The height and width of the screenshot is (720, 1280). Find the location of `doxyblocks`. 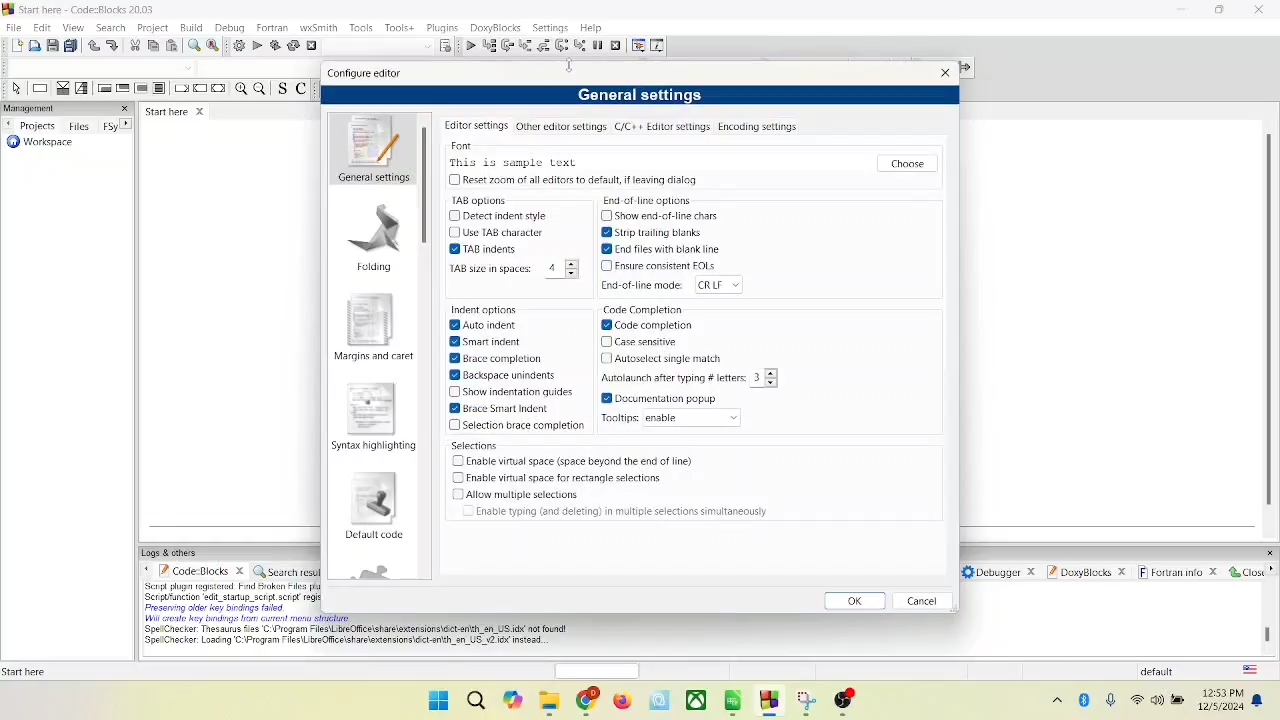

doxyblocks is located at coordinates (496, 28).